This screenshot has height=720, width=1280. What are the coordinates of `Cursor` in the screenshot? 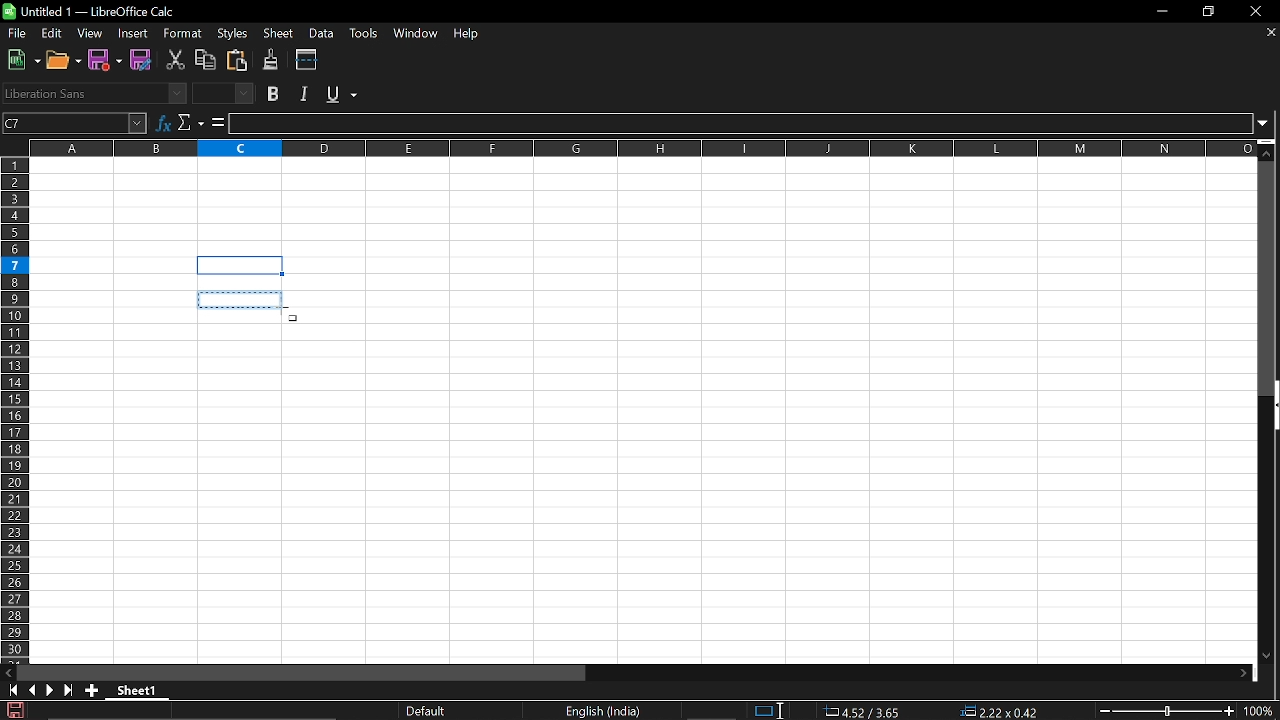 It's located at (296, 317).